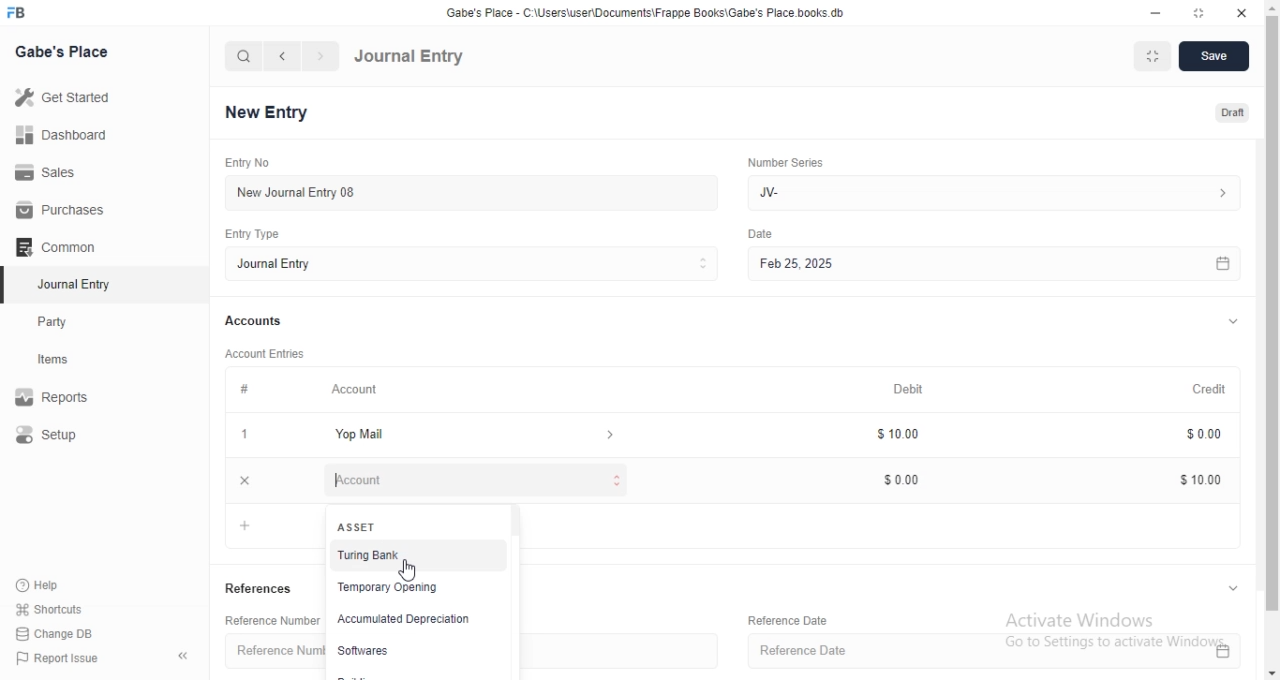  What do you see at coordinates (785, 618) in the screenshot?
I see `Reference Date` at bounding box center [785, 618].